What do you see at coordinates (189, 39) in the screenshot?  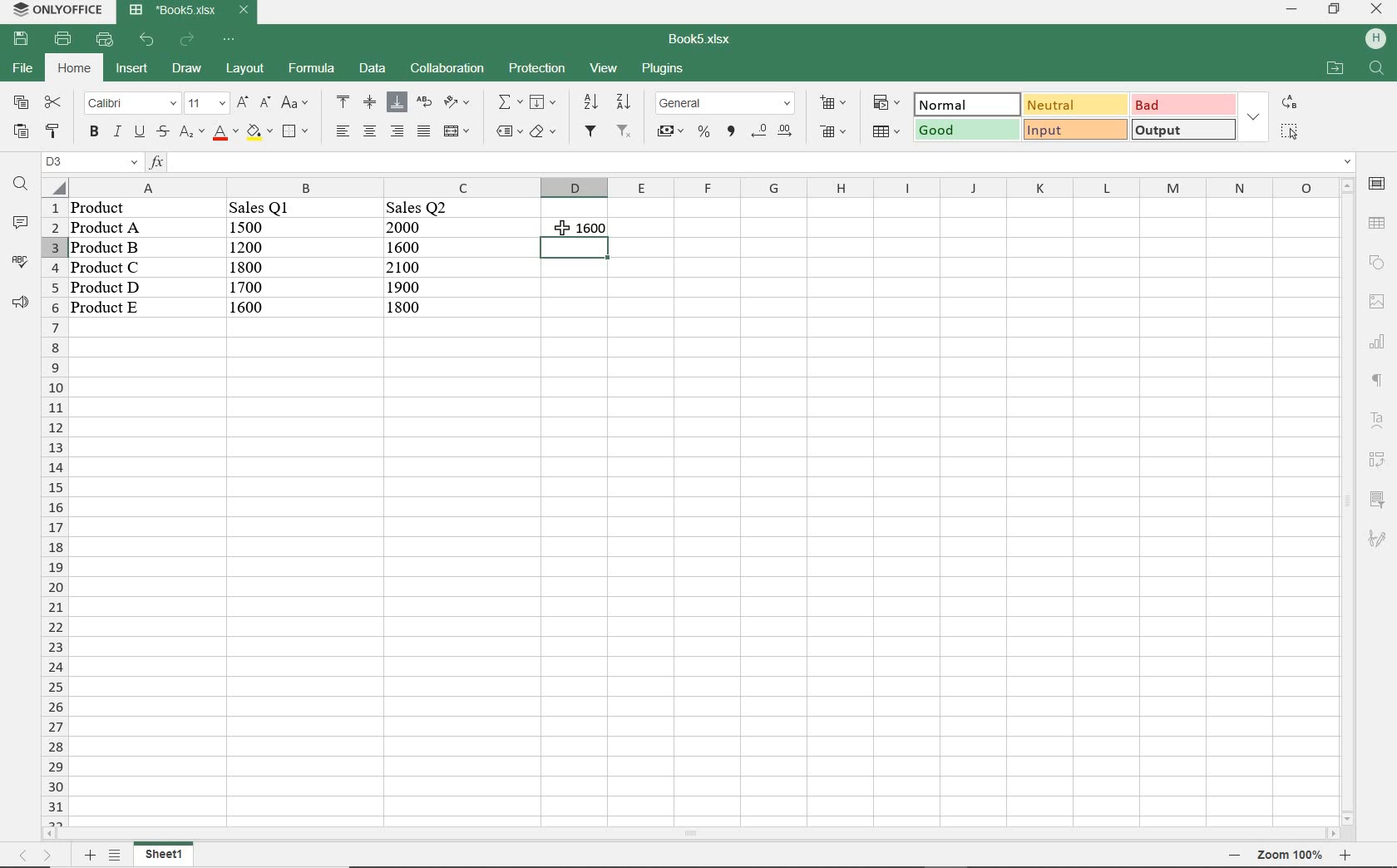 I see `redo` at bounding box center [189, 39].